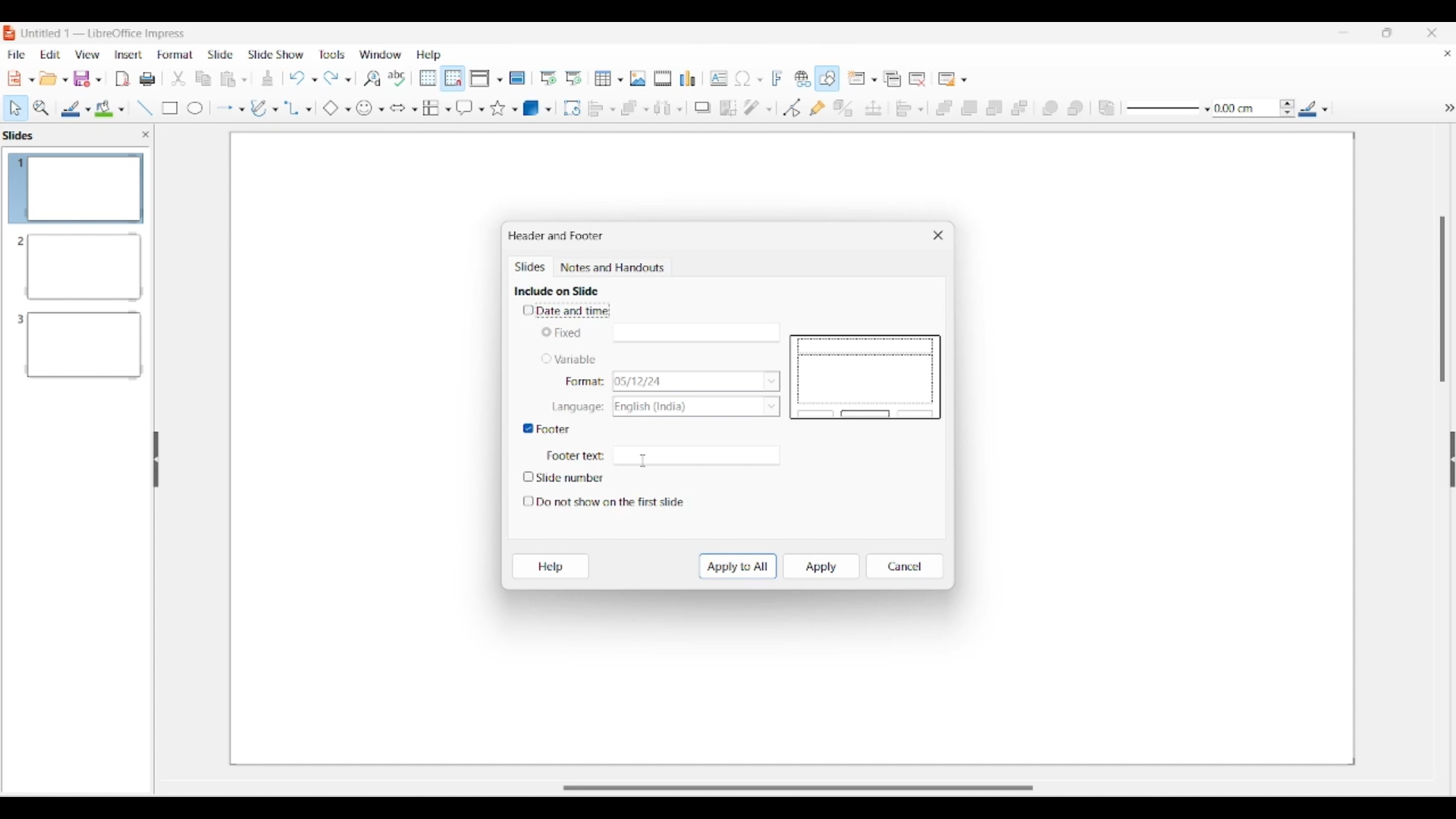 Image resolution: width=1456 pixels, height=819 pixels. Describe the element at coordinates (575, 78) in the screenshot. I see `Start from current slide` at that location.